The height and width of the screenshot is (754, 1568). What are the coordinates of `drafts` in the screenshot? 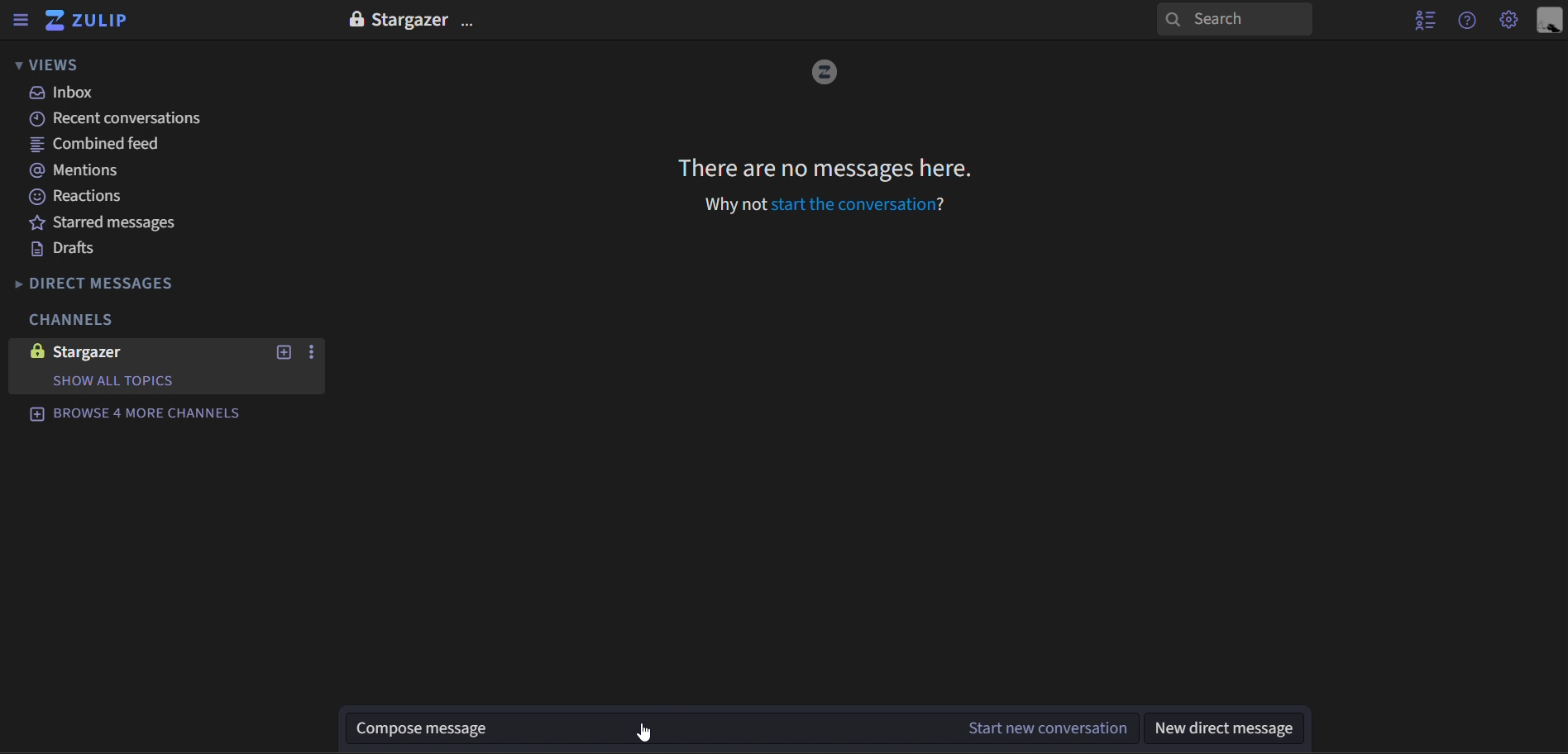 It's located at (124, 252).